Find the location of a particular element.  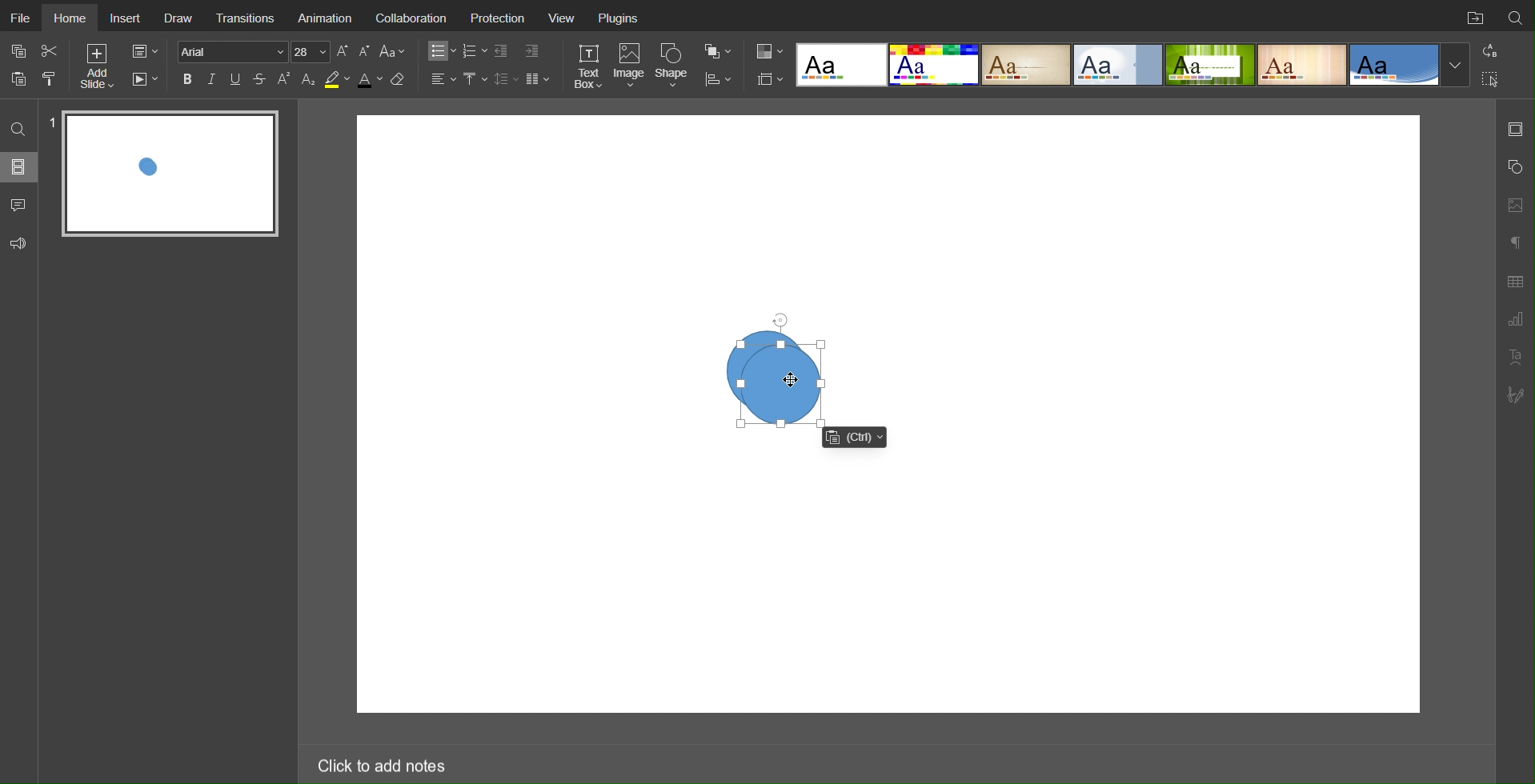

Decrease Indent is located at coordinates (503, 51).